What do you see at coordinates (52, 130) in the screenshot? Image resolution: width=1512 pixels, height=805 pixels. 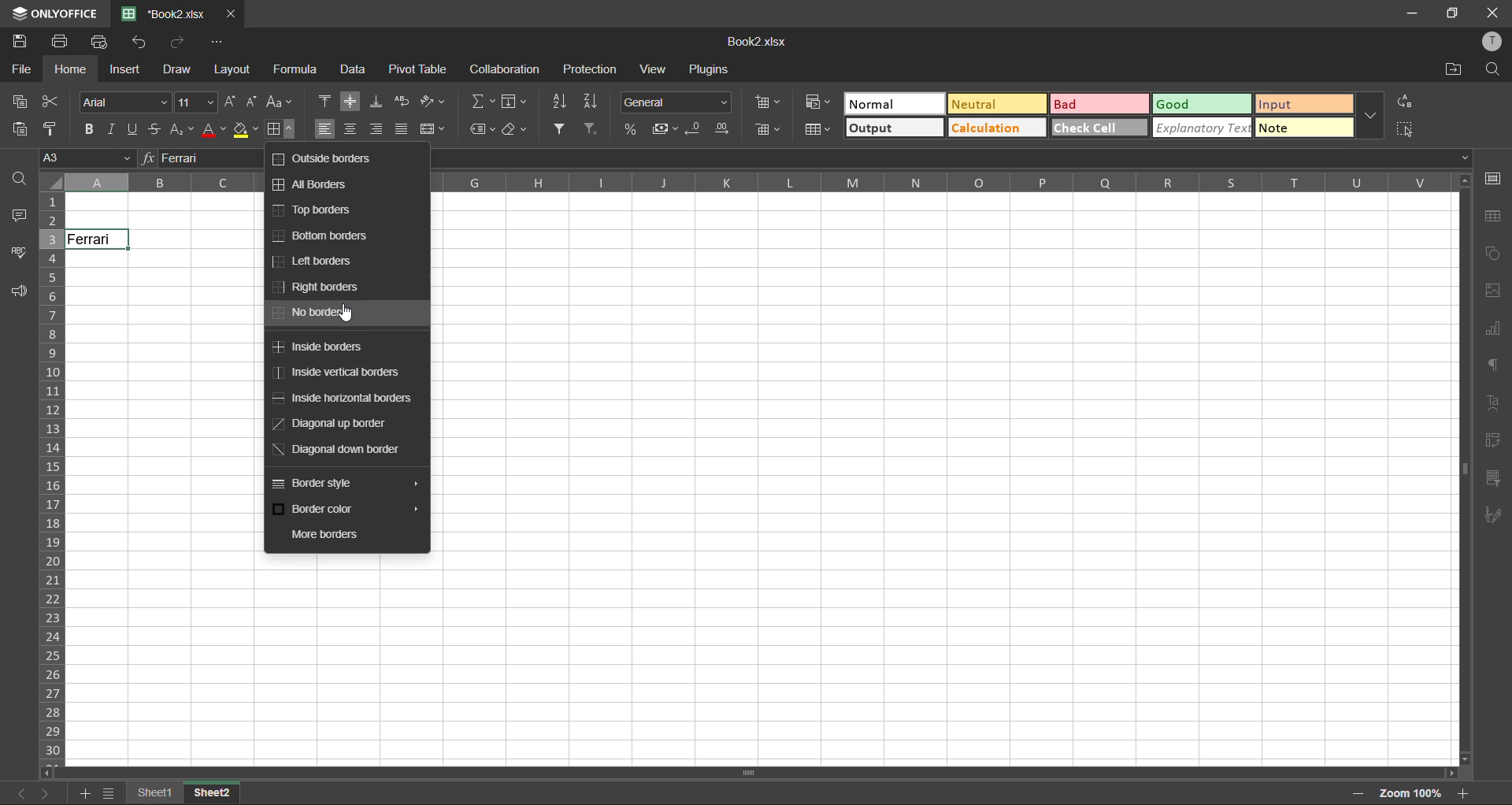 I see `copy style` at bounding box center [52, 130].